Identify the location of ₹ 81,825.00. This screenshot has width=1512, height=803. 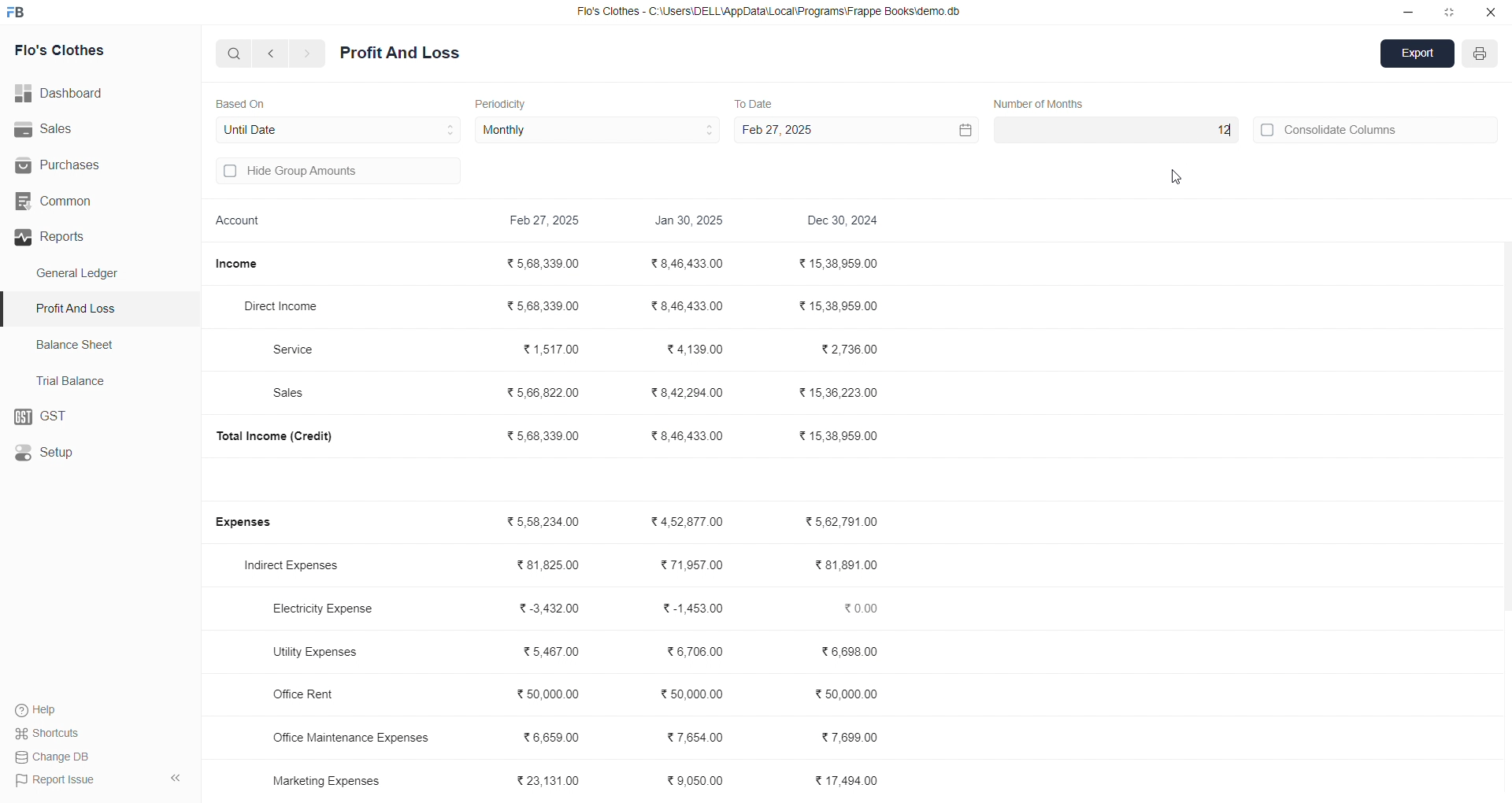
(548, 565).